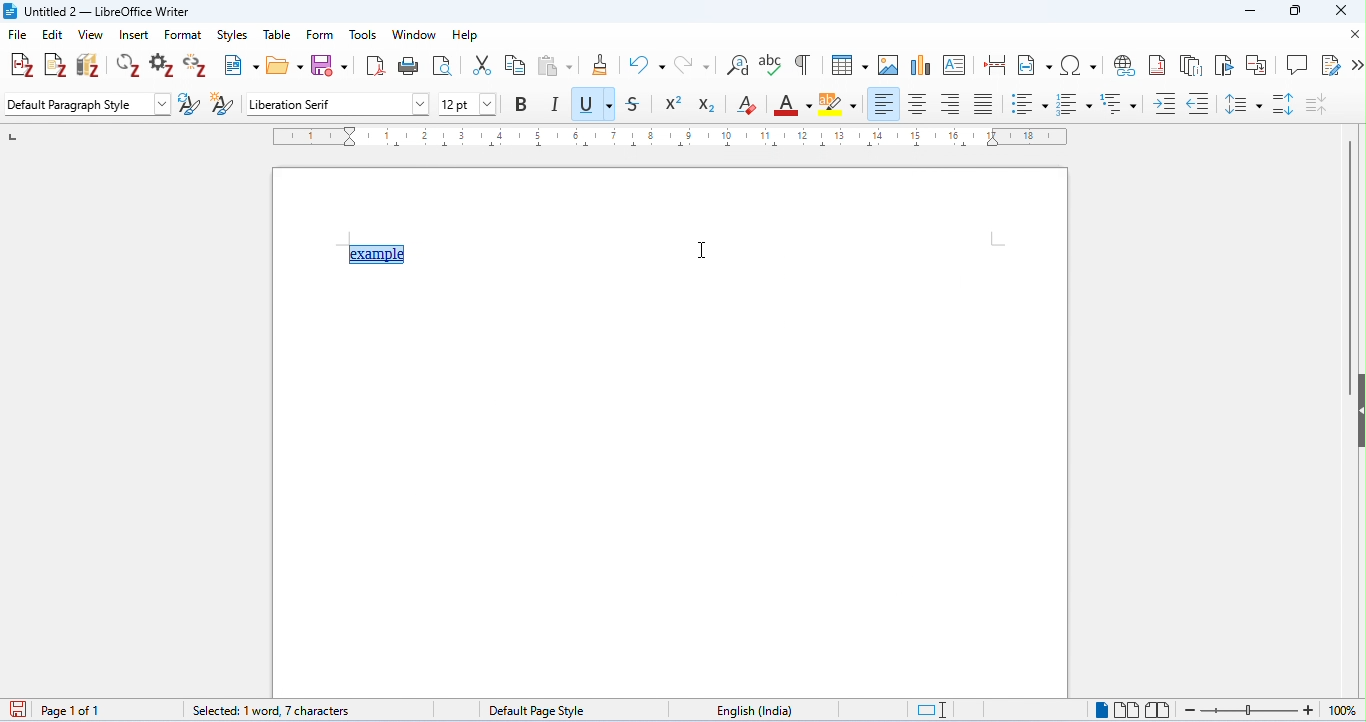  Describe the element at coordinates (1296, 11) in the screenshot. I see `maximize` at that location.